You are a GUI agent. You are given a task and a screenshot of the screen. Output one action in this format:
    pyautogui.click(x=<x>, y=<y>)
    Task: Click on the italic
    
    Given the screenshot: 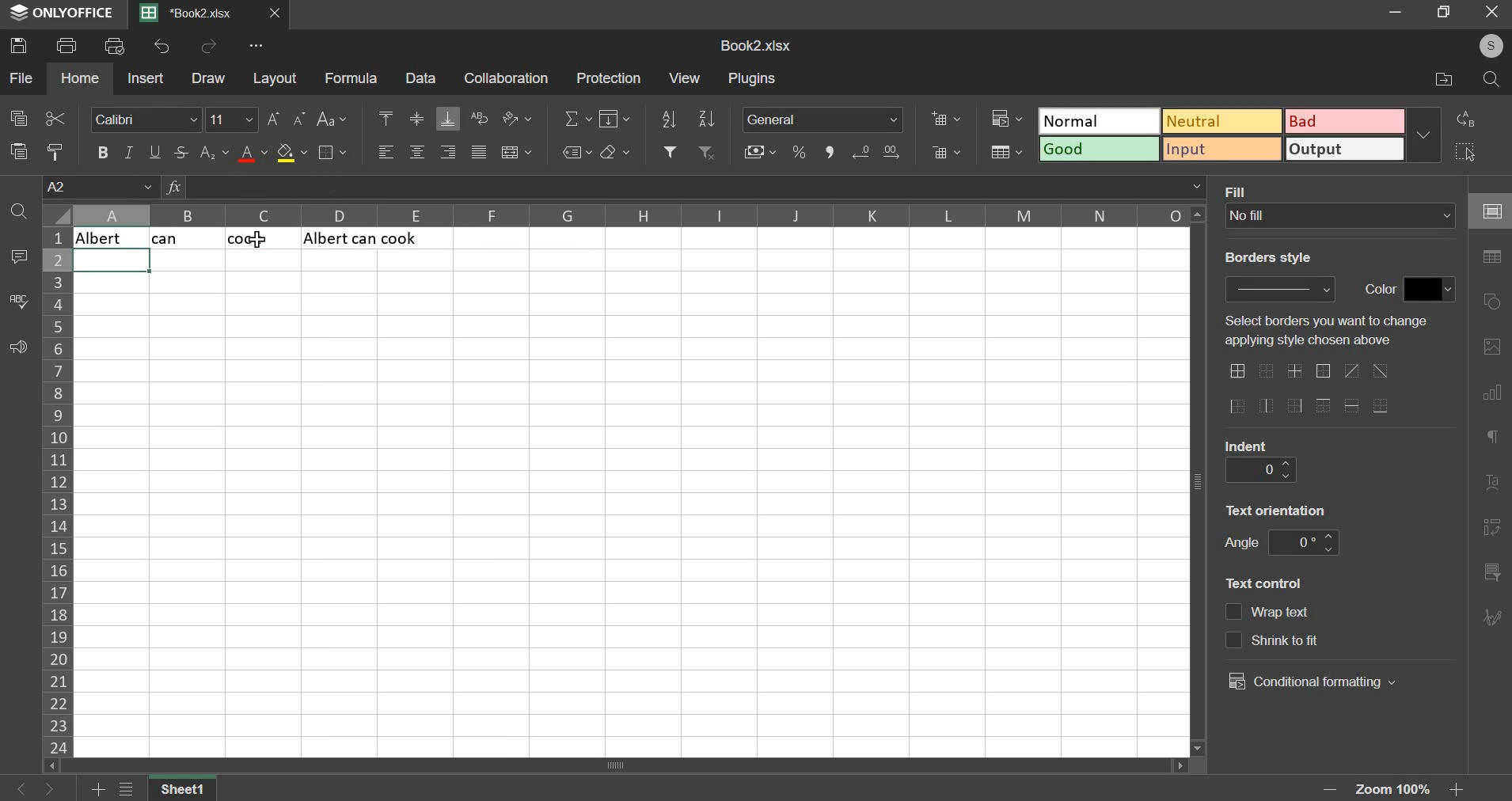 What is the action you would take?
    pyautogui.click(x=128, y=152)
    